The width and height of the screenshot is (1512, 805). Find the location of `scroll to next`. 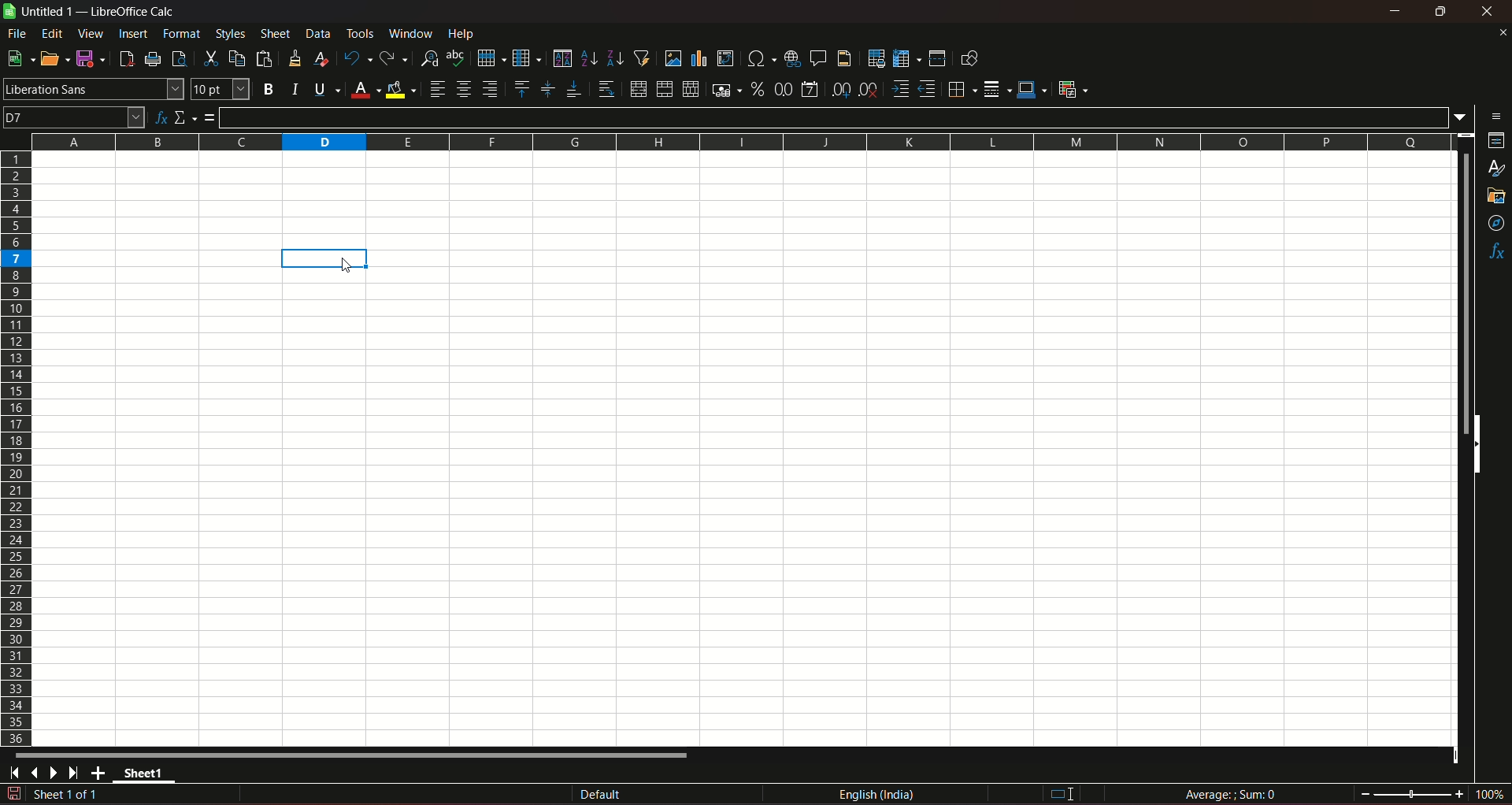

scroll to next is located at coordinates (57, 773).